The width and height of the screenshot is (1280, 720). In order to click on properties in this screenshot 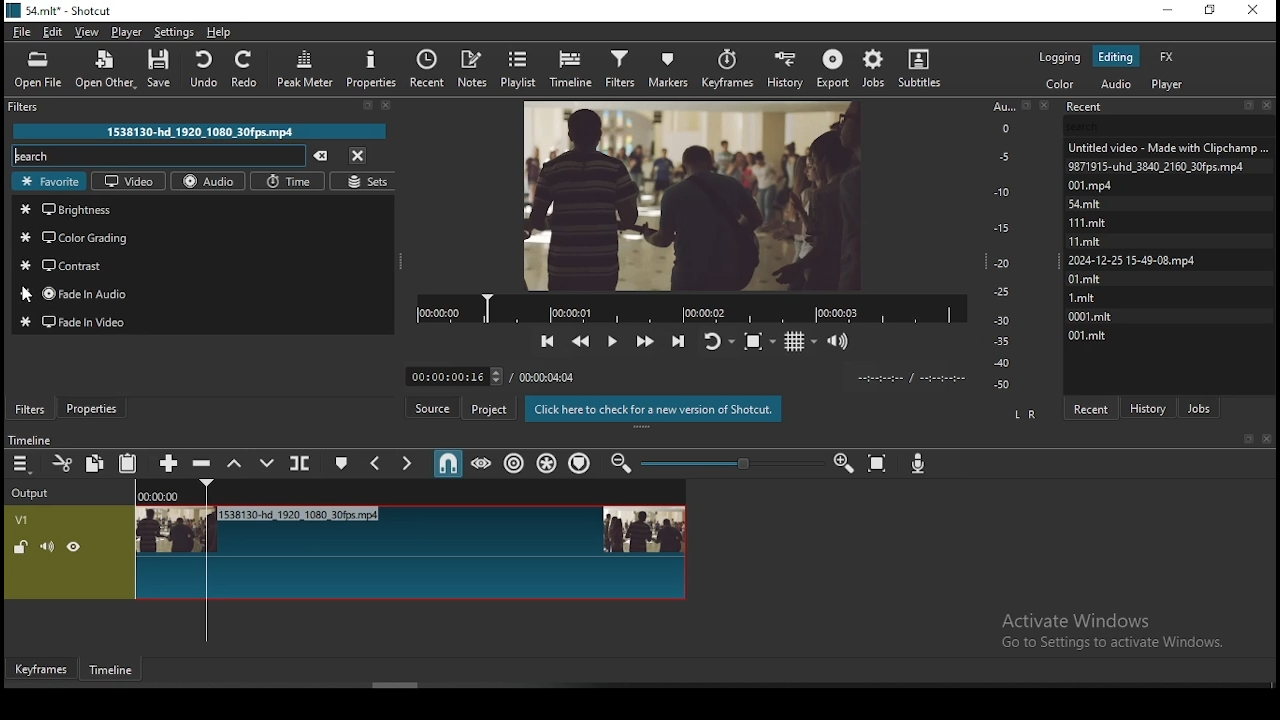, I will do `click(92, 408)`.